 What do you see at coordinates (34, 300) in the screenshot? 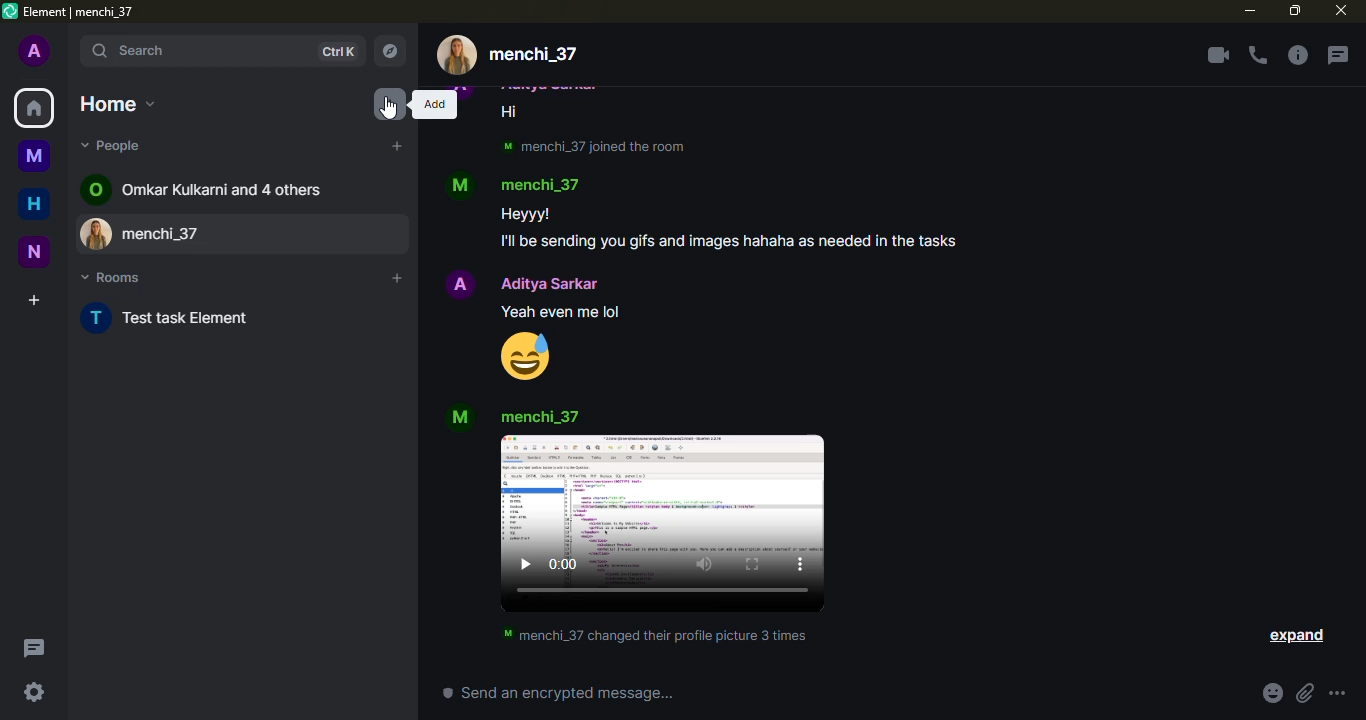
I see `create space` at bounding box center [34, 300].